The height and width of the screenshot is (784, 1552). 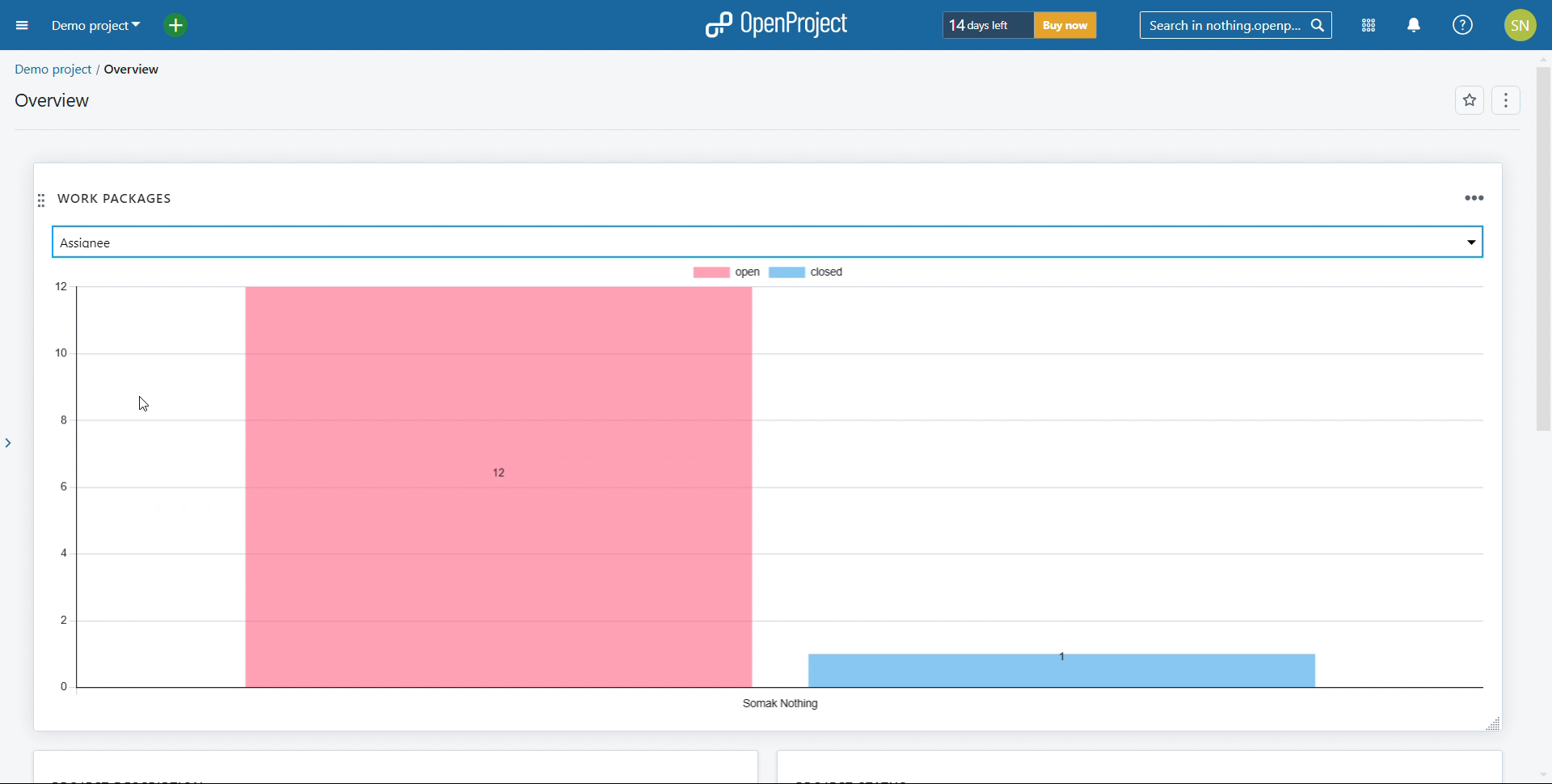 What do you see at coordinates (1368, 27) in the screenshot?
I see `modules` at bounding box center [1368, 27].